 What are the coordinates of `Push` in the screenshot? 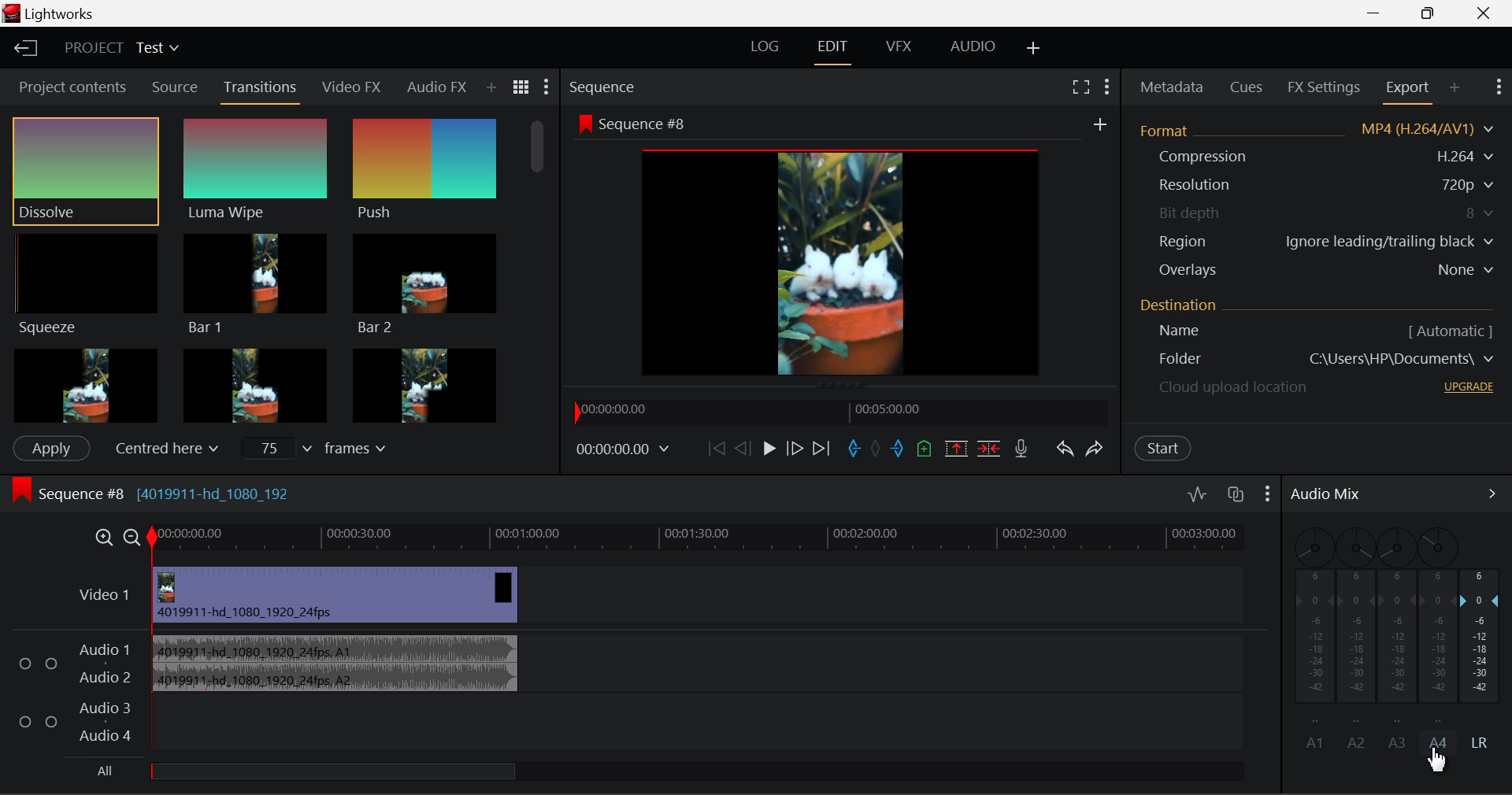 It's located at (424, 170).